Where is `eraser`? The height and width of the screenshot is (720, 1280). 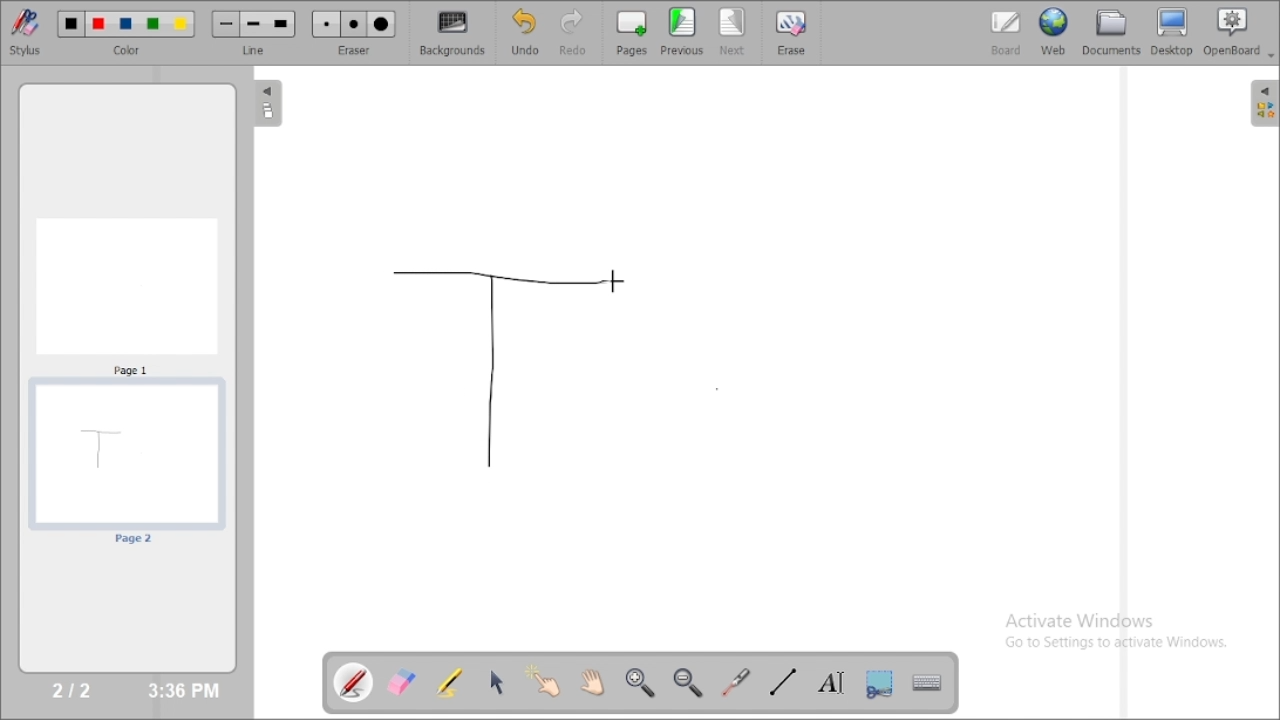 eraser is located at coordinates (354, 50).